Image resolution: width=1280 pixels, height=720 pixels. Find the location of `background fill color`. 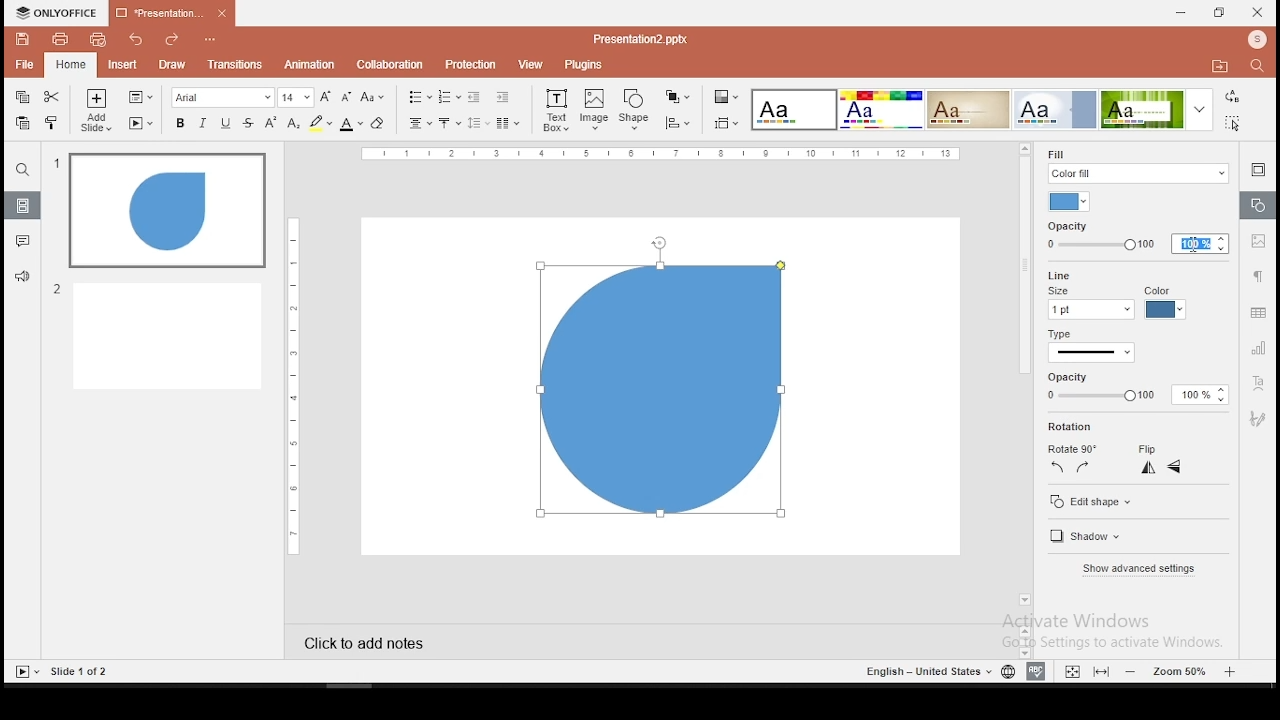

background fill color is located at coordinates (1071, 202).